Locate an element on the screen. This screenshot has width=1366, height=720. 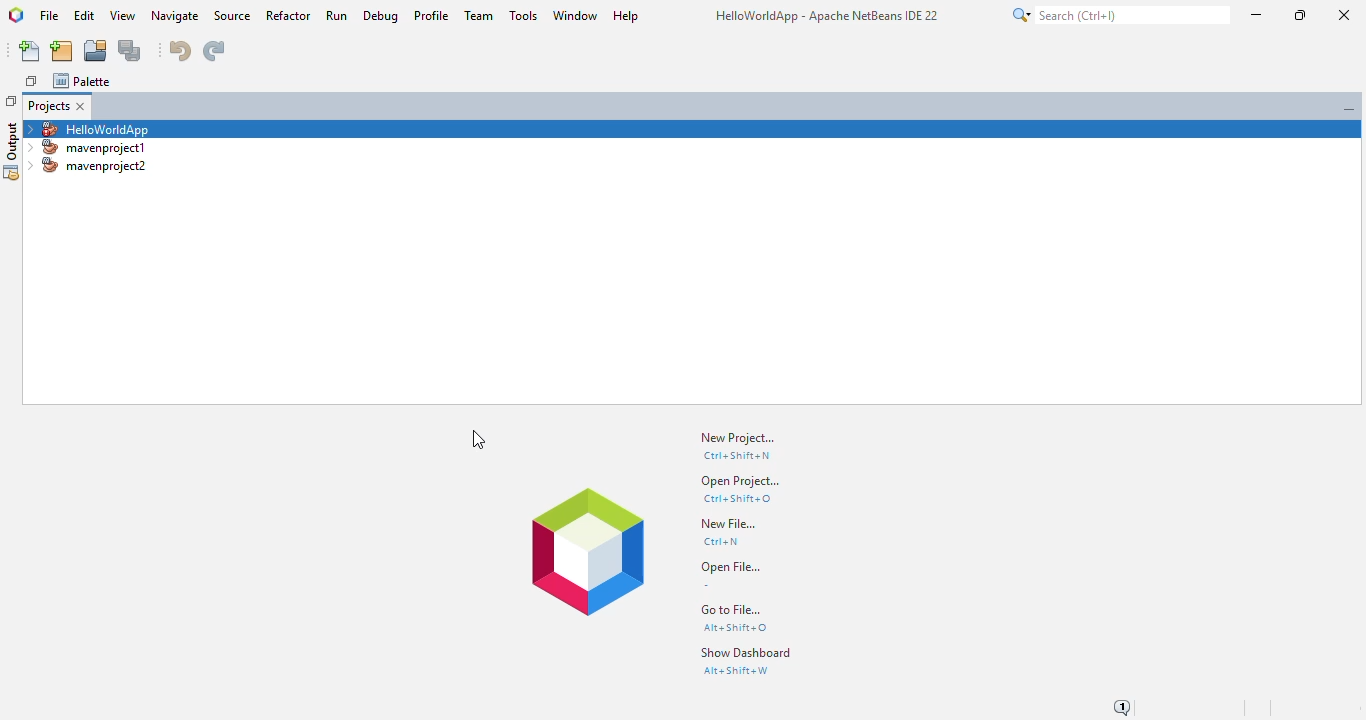
open project is located at coordinates (740, 481).